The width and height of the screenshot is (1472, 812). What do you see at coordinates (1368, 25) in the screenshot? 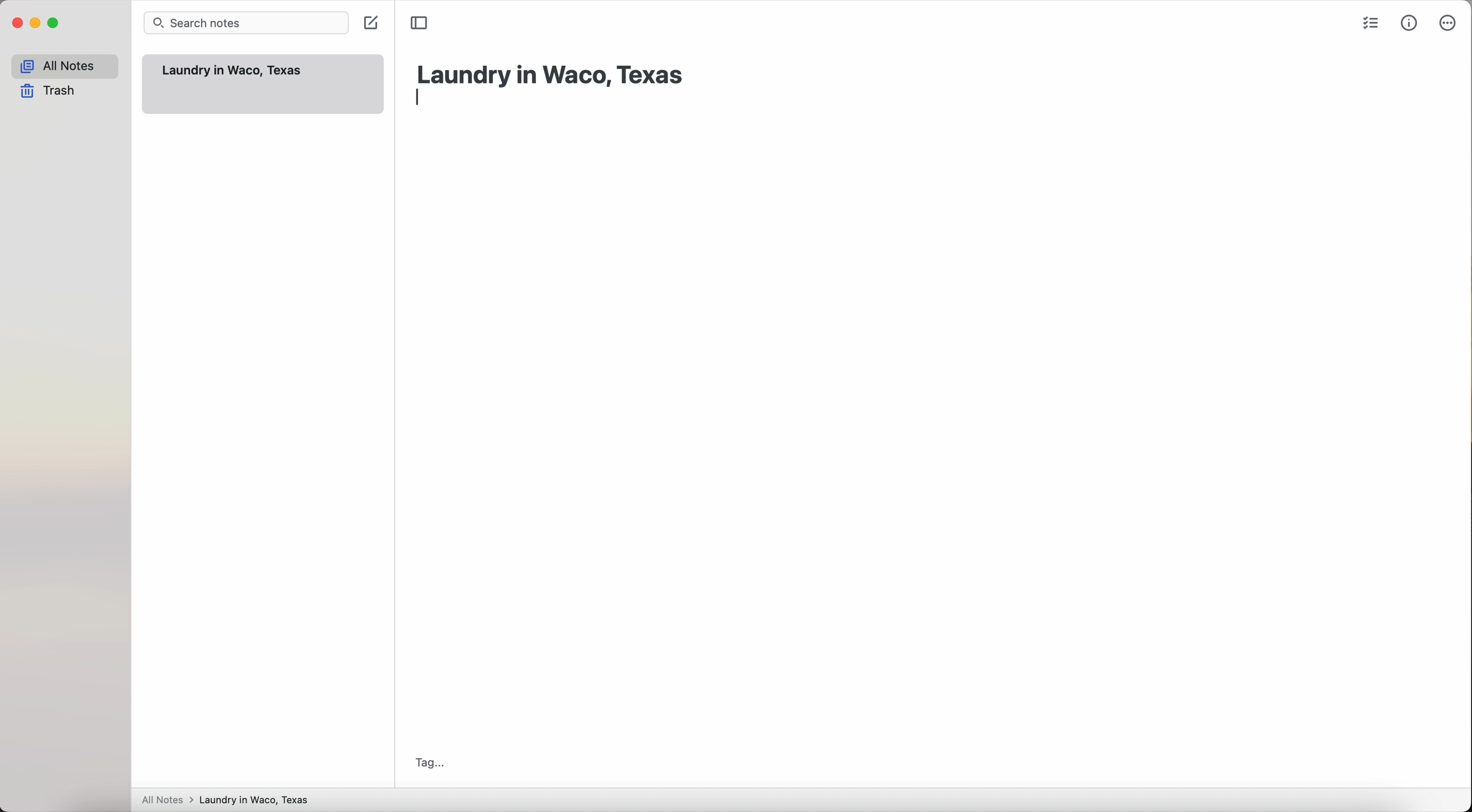
I see `check list` at bounding box center [1368, 25].